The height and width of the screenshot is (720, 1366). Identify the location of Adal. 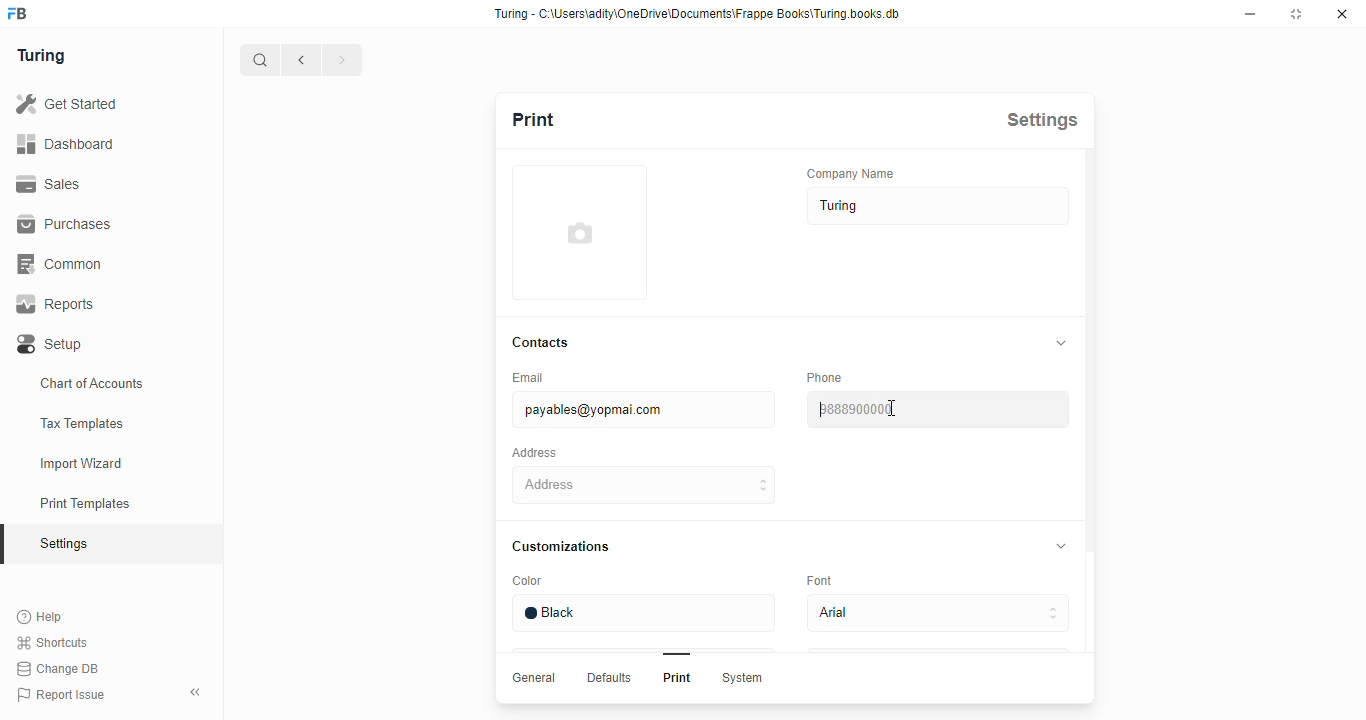
(941, 613).